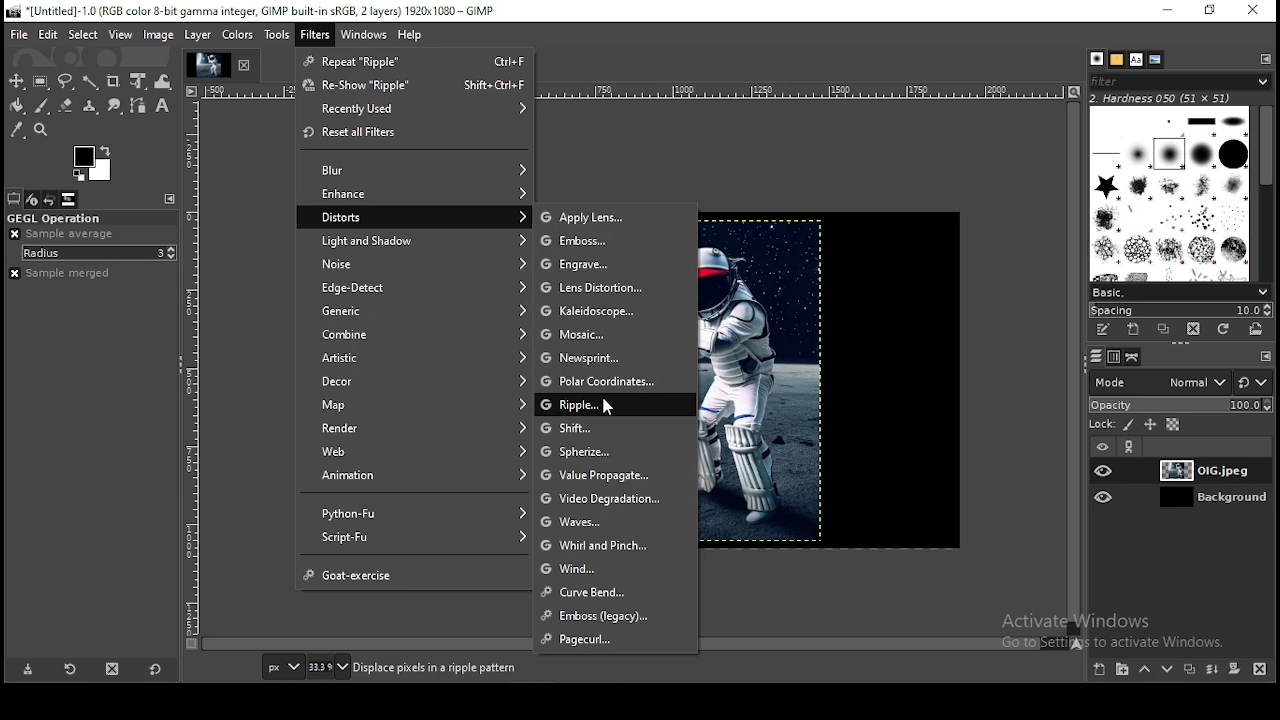 Image resolution: width=1280 pixels, height=720 pixels. What do you see at coordinates (48, 34) in the screenshot?
I see `edit` at bounding box center [48, 34].